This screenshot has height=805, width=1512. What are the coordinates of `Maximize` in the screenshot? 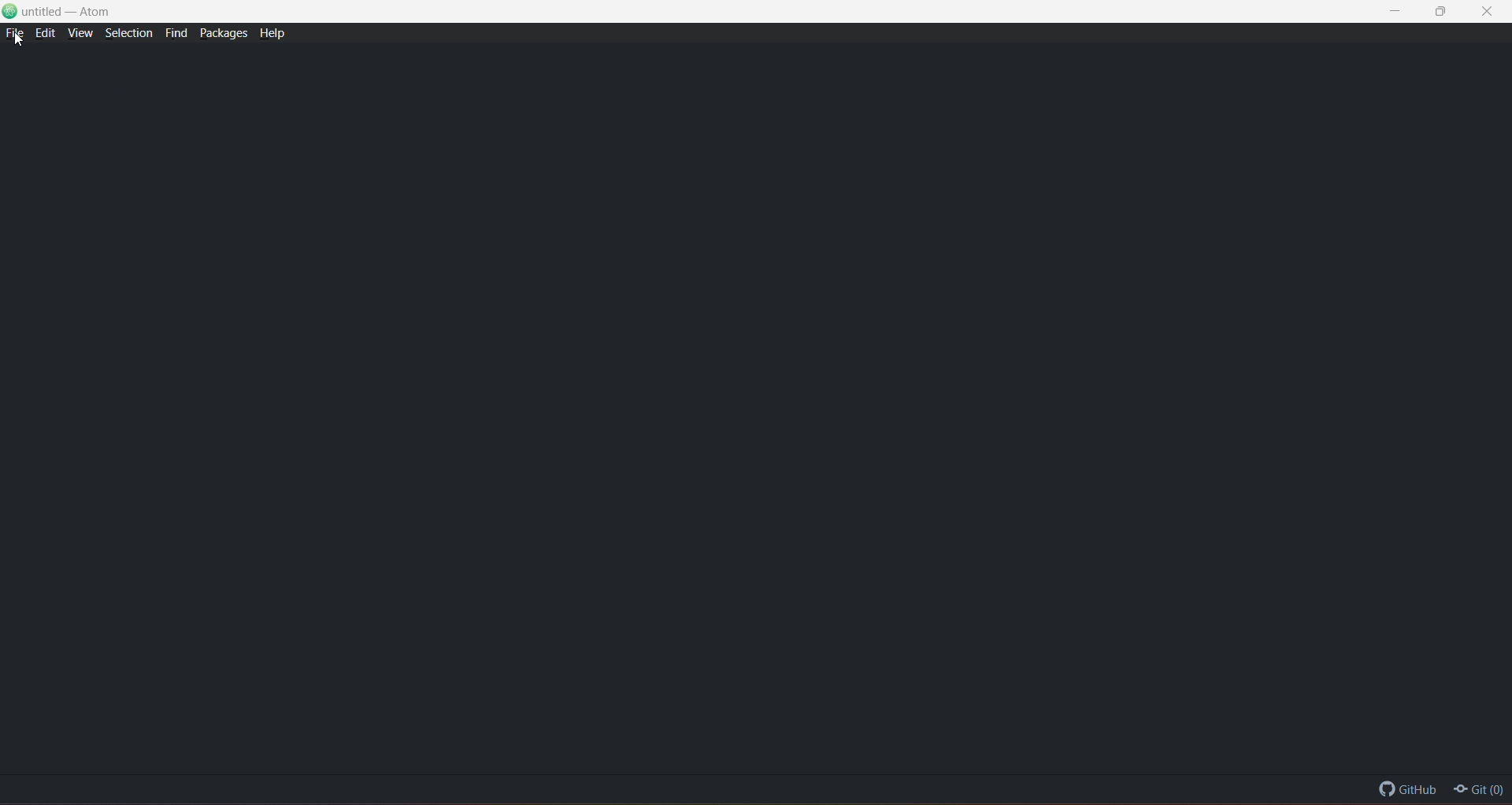 It's located at (1444, 12).